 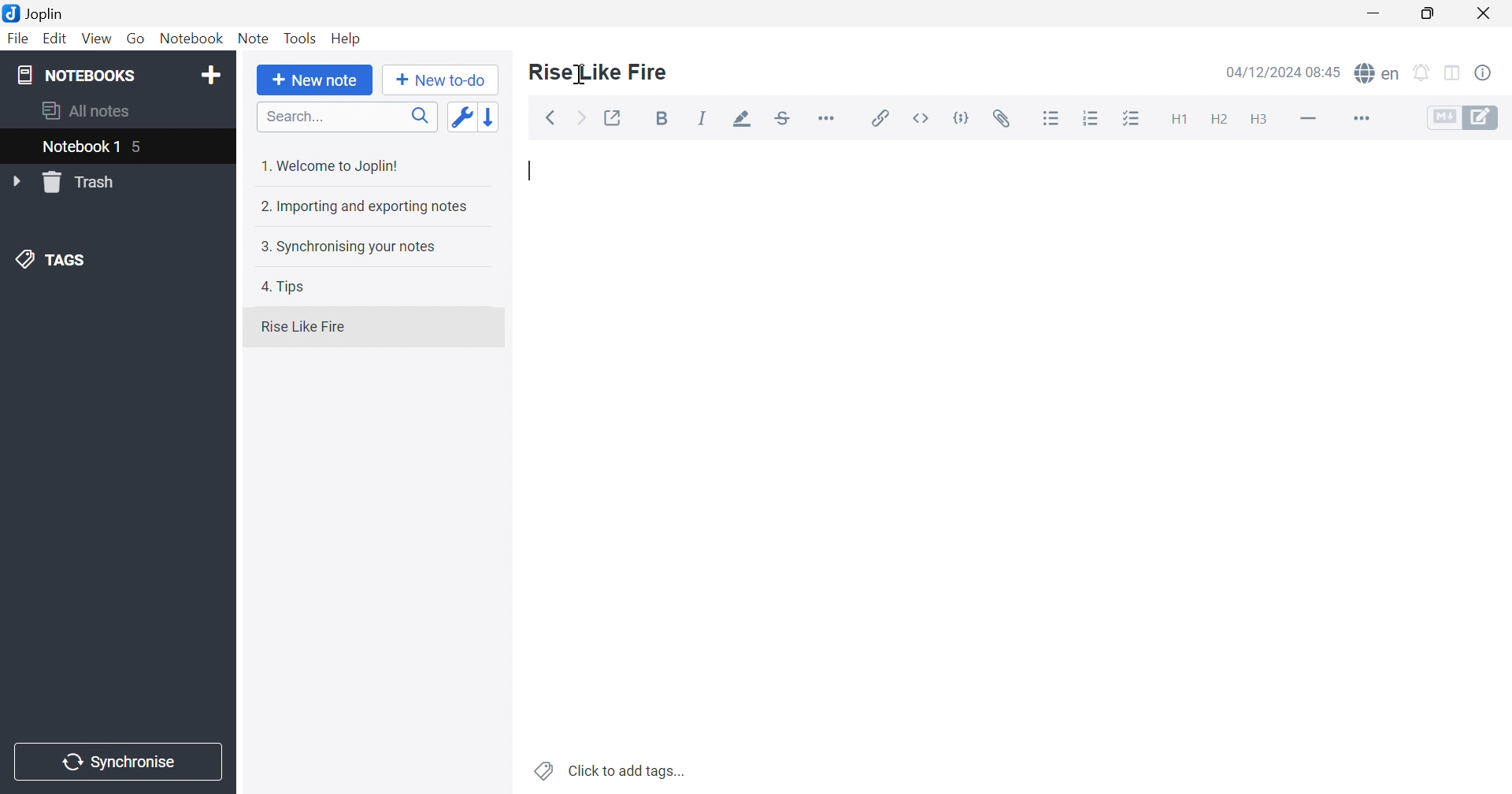 I want to click on Back, so click(x=550, y=118).